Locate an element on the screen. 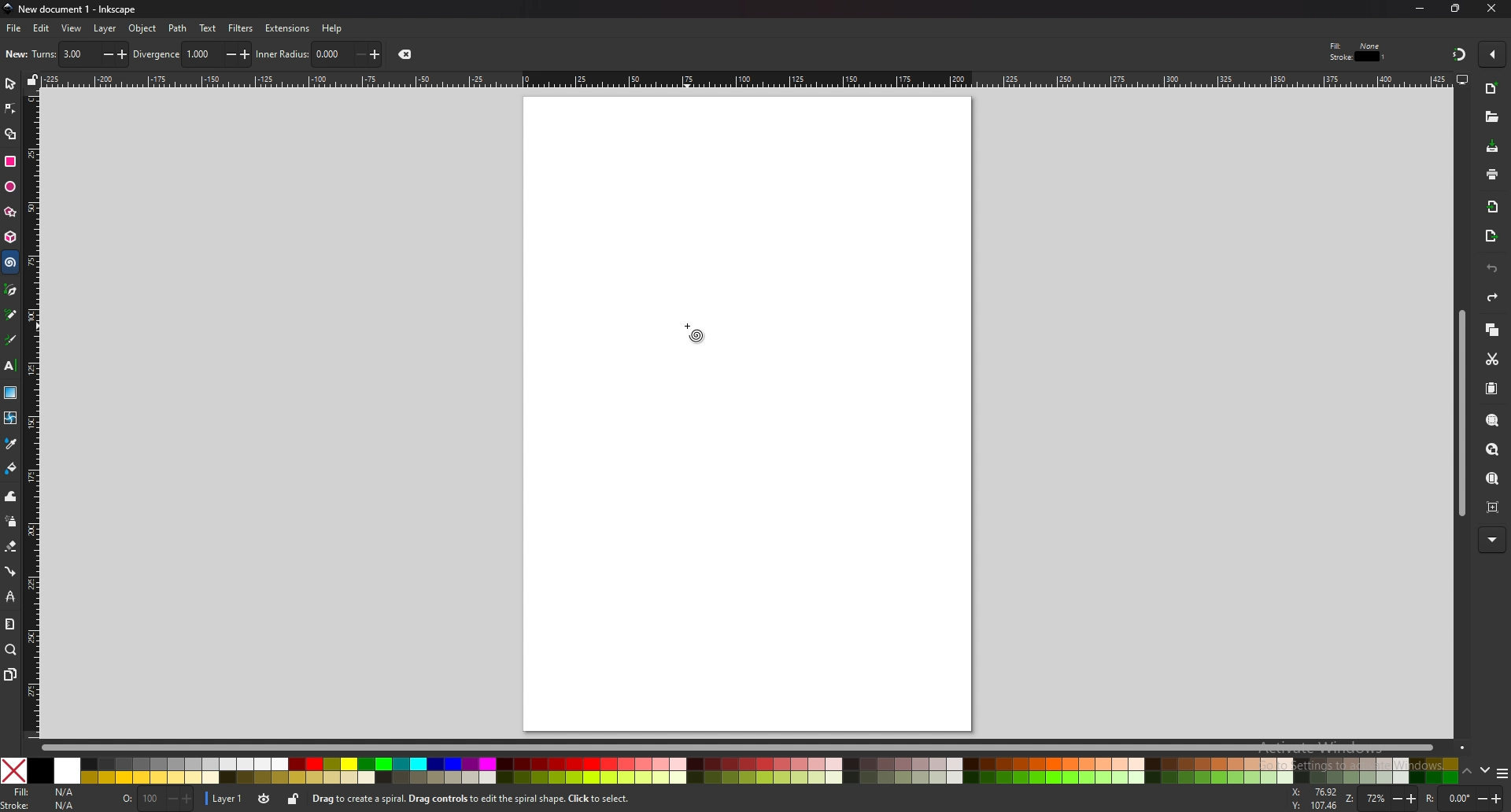  turns: 3.00 is located at coordinates (80, 54).